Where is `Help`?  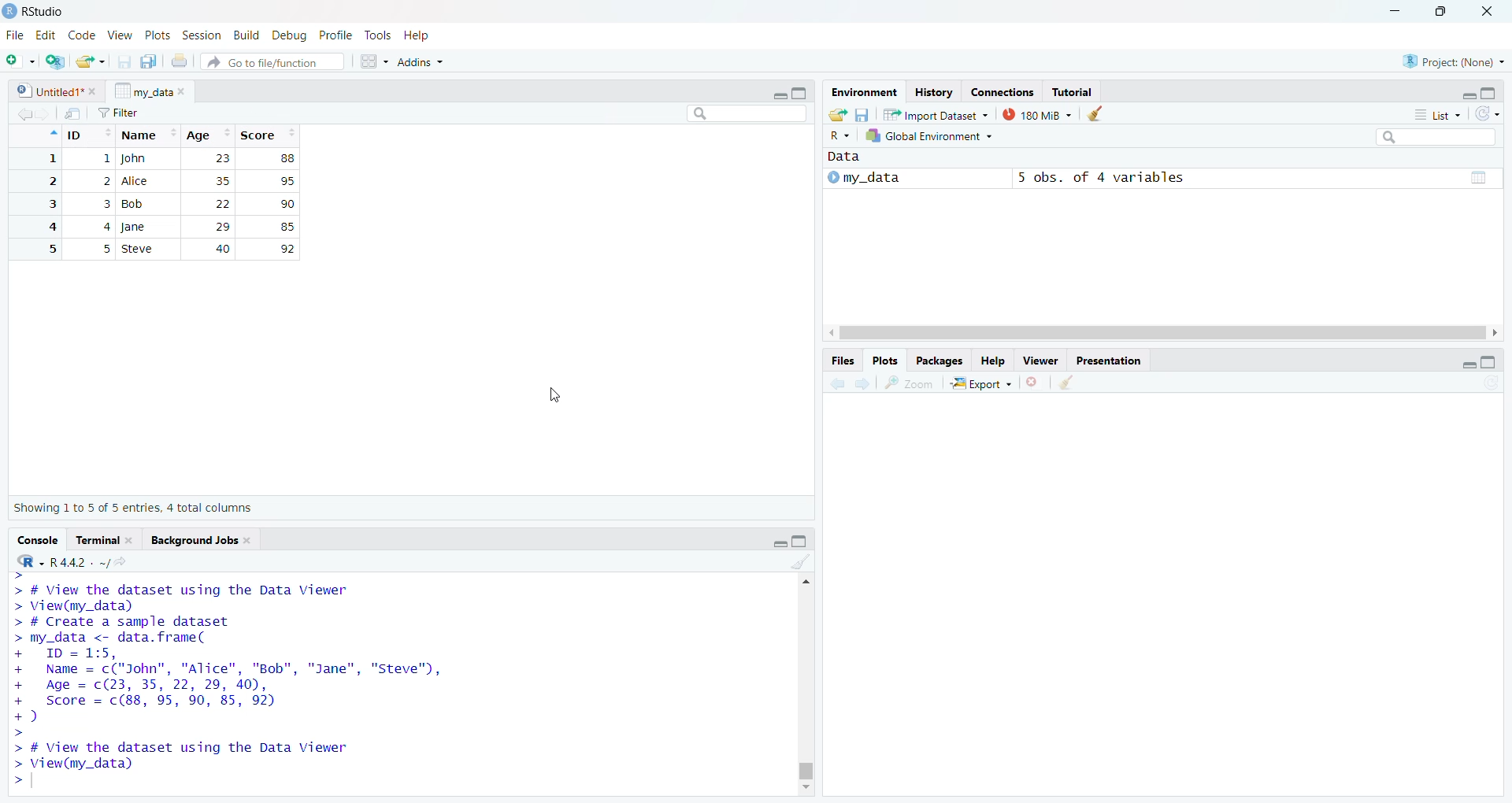 Help is located at coordinates (994, 359).